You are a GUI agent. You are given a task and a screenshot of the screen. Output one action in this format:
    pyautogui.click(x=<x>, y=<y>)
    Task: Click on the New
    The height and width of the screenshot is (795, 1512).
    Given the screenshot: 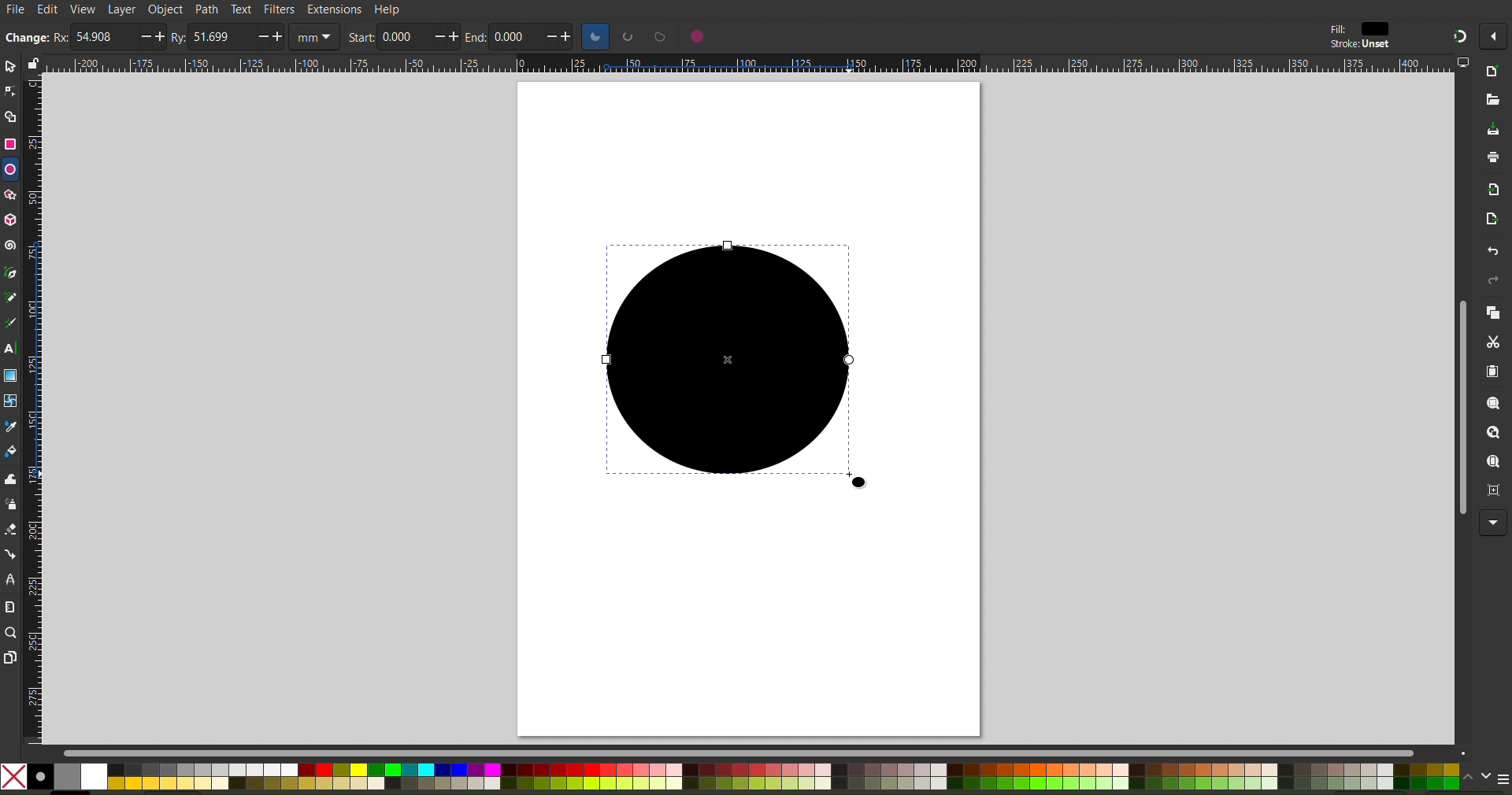 What is the action you would take?
    pyautogui.click(x=1496, y=76)
    